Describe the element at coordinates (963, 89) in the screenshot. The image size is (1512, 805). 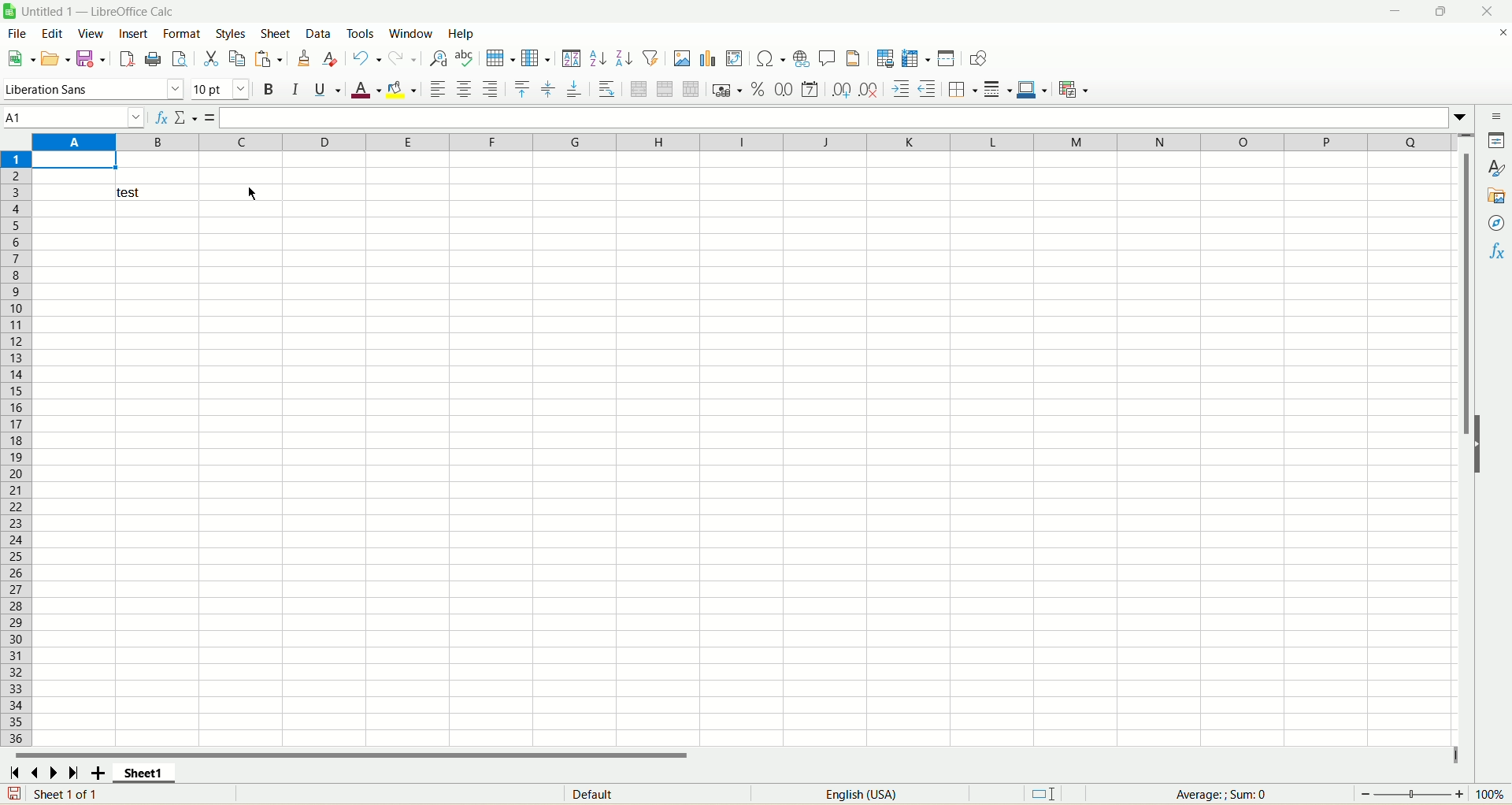
I see `borders` at that location.